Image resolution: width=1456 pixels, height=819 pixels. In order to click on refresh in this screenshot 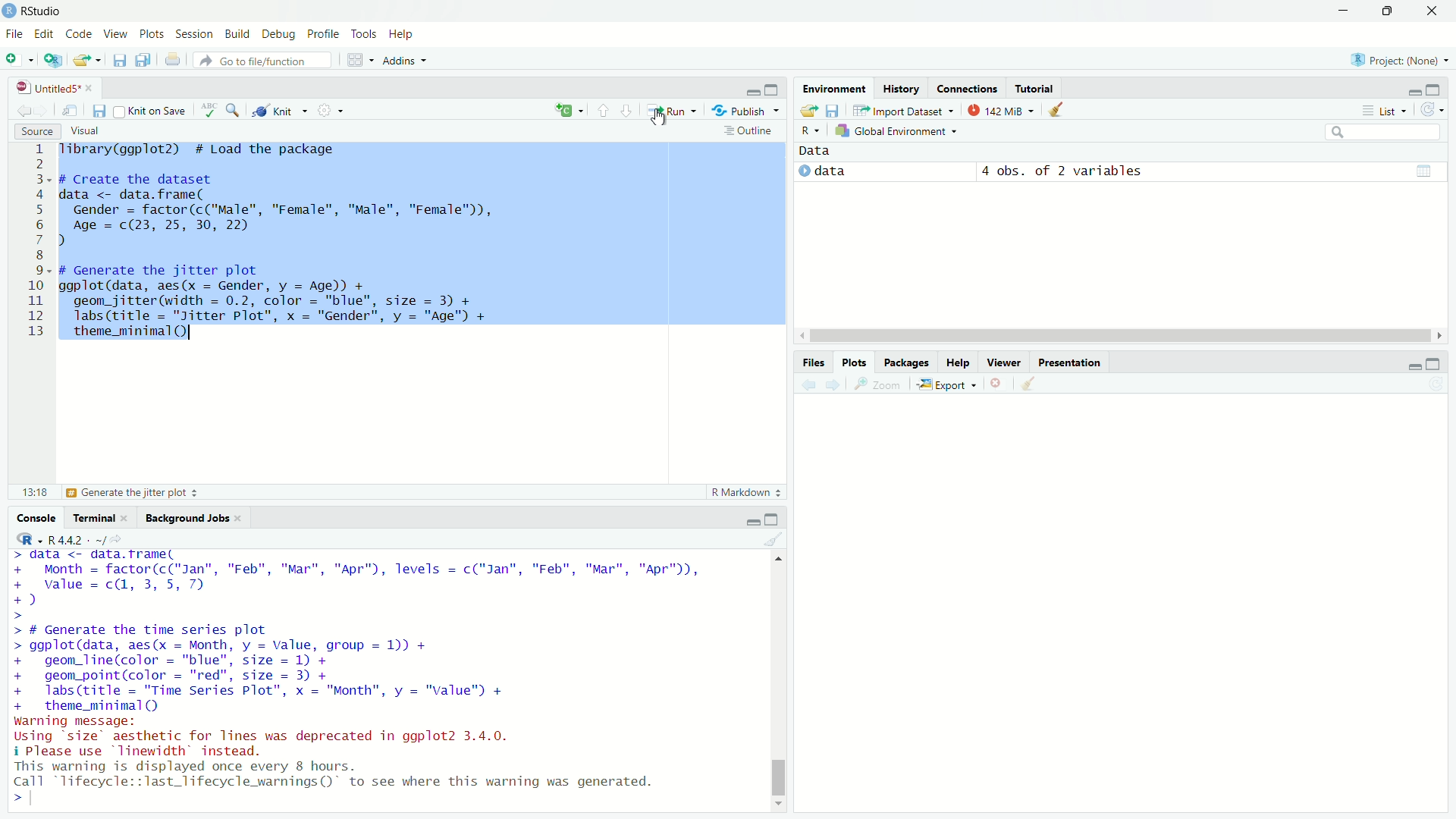, I will do `click(1437, 110)`.